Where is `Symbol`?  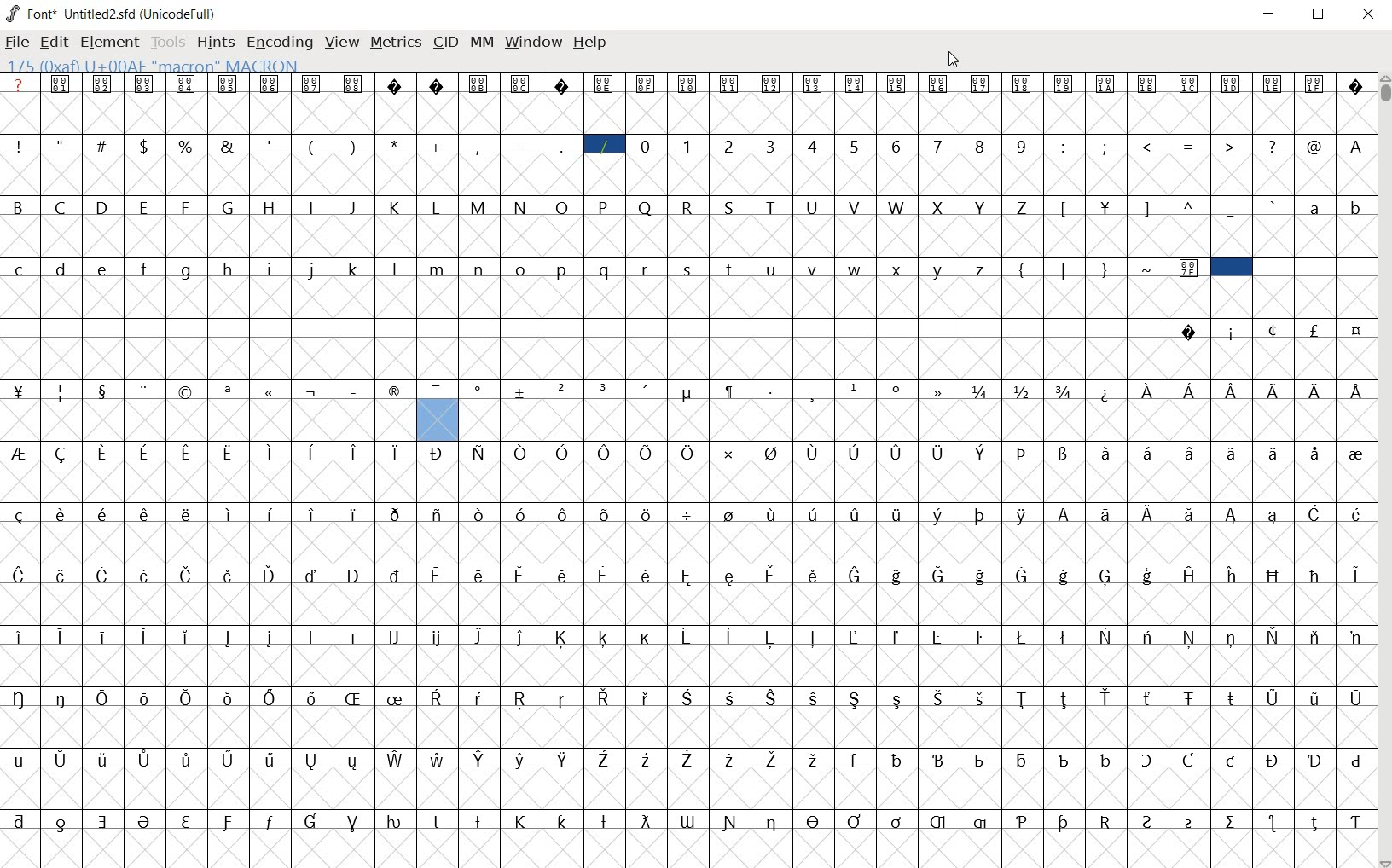
Symbol is located at coordinates (1191, 85).